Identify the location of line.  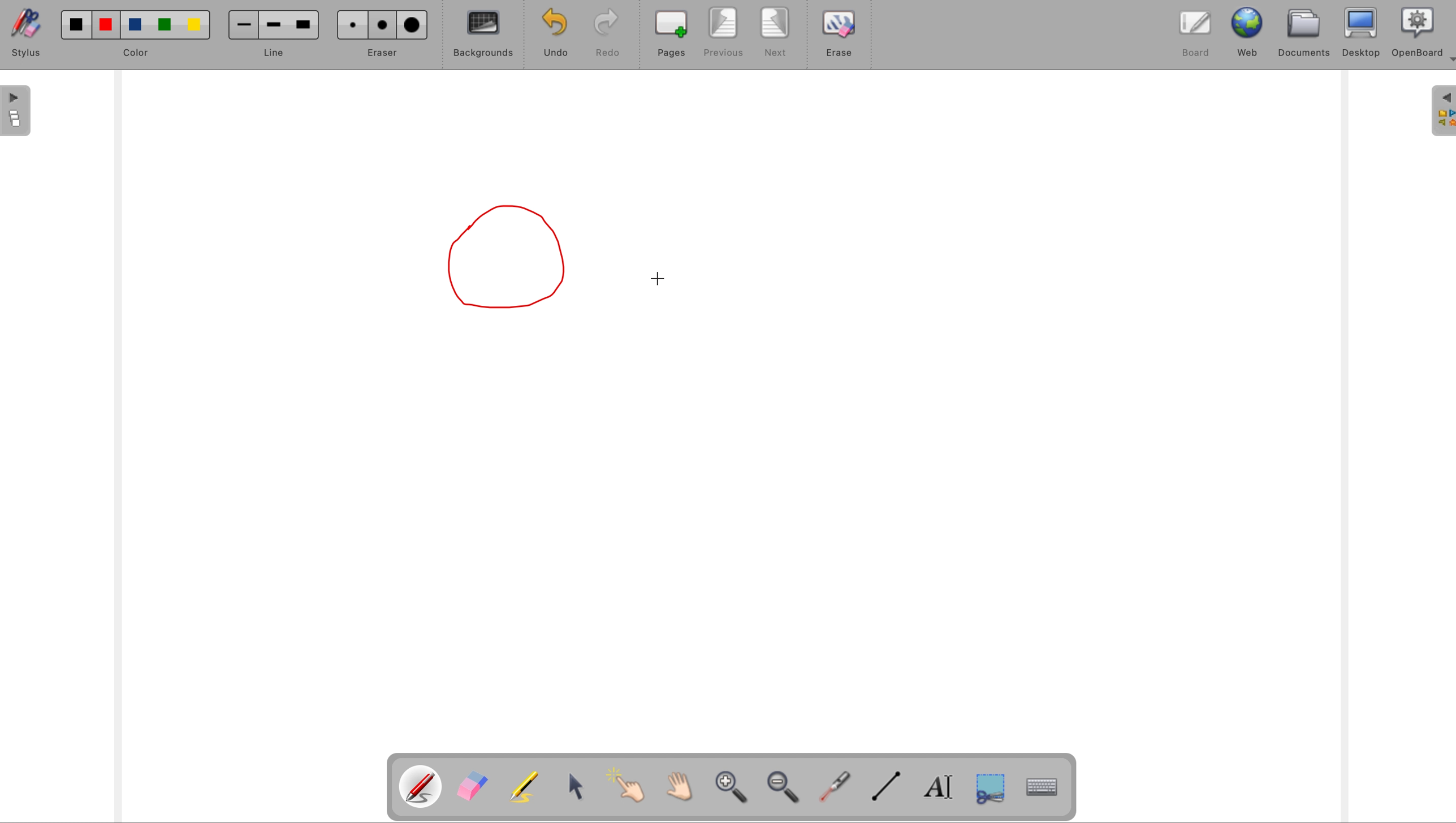
(271, 35).